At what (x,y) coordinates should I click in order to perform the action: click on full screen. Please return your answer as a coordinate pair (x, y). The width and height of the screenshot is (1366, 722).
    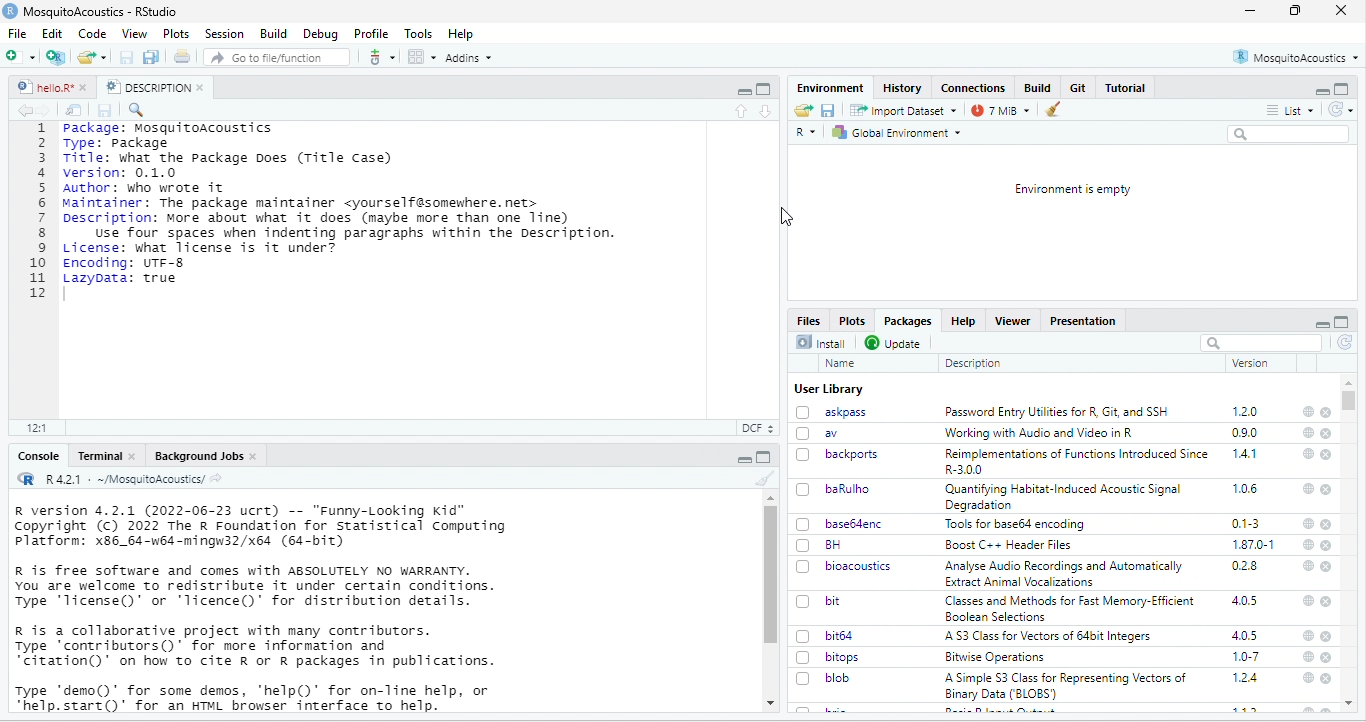
    Looking at the image, I should click on (1294, 10).